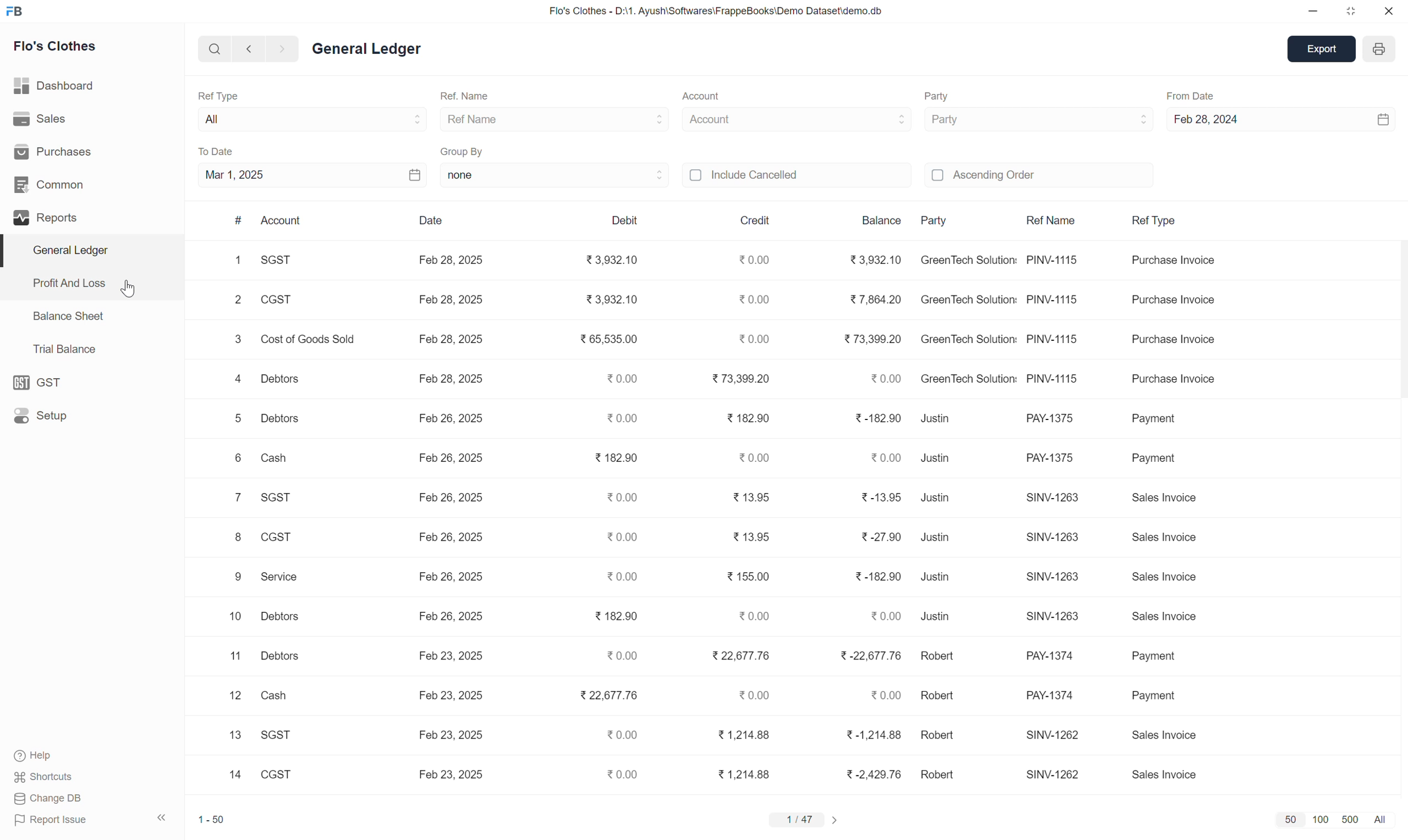 The height and width of the screenshot is (840, 1408). I want to click on Payment, so click(1161, 422).